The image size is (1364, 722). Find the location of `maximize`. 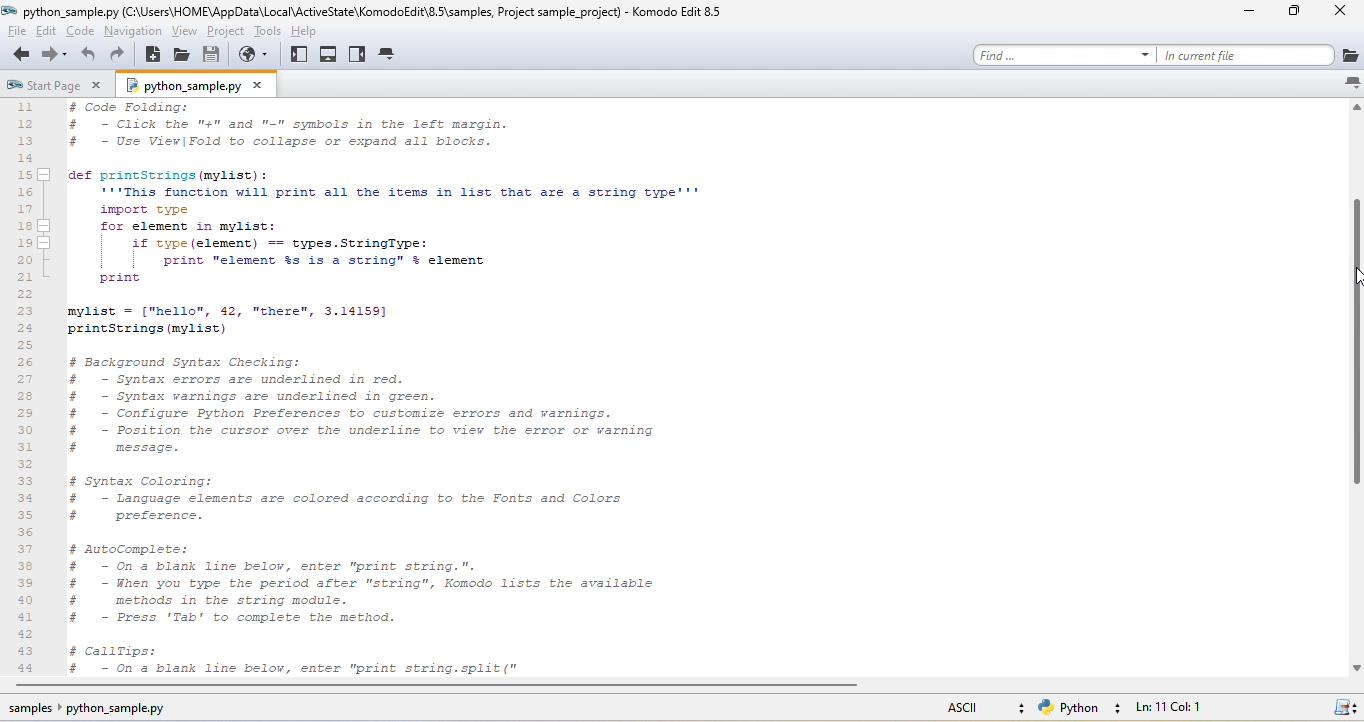

maximize is located at coordinates (1301, 14).